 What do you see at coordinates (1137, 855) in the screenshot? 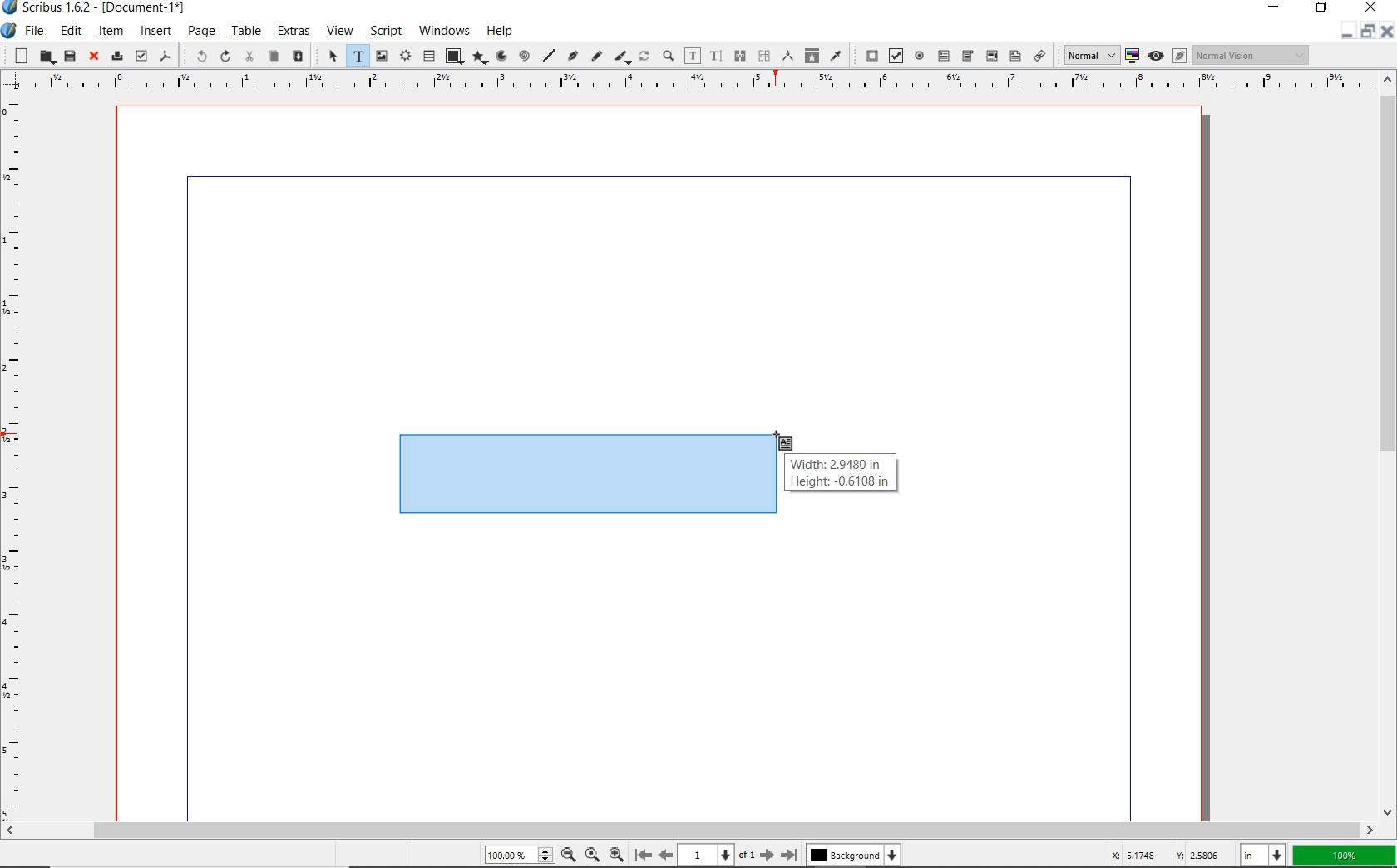
I see `X: 5.1748` at bounding box center [1137, 855].